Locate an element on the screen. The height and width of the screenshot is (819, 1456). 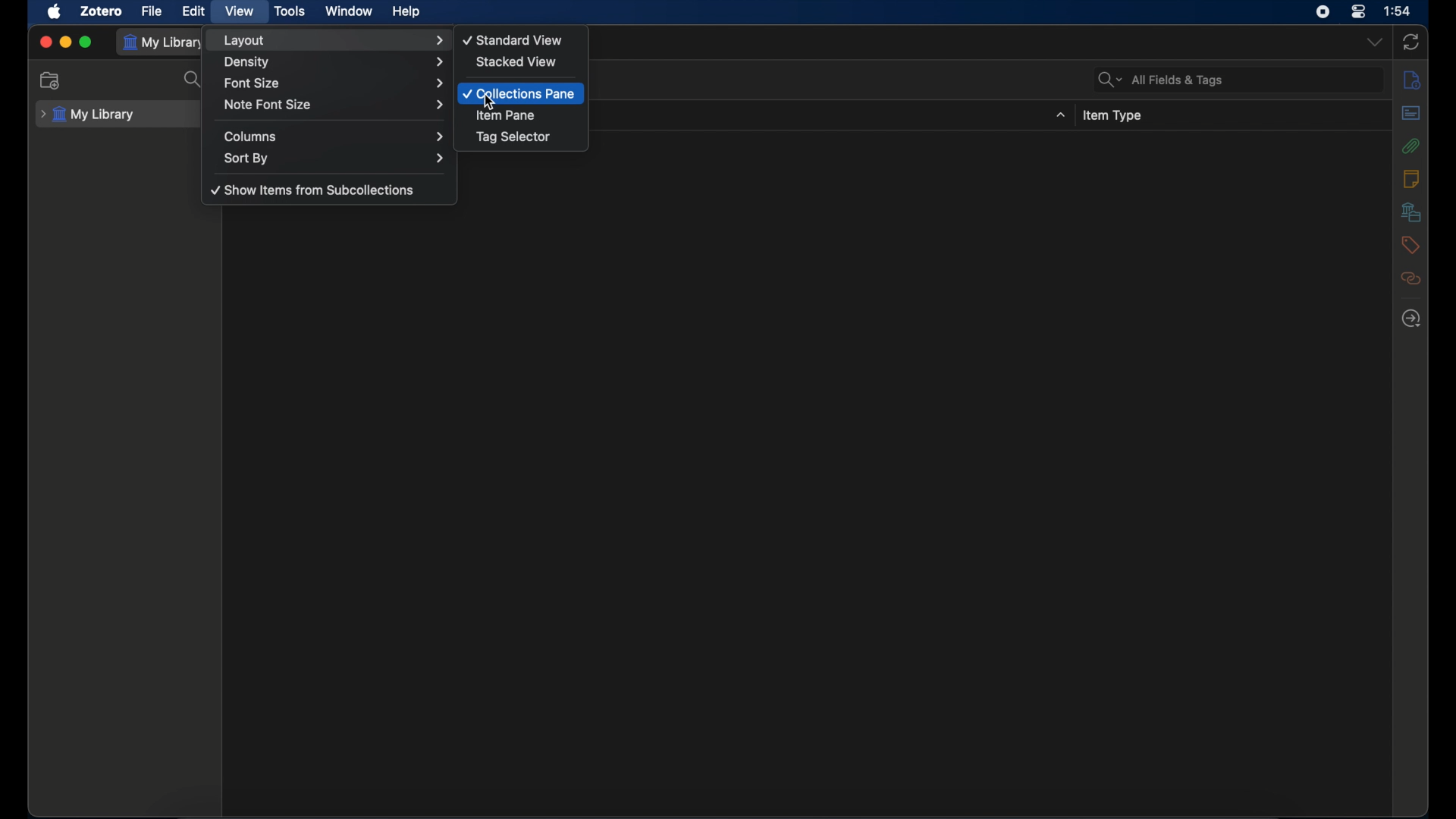
search bar is located at coordinates (1162, 80).